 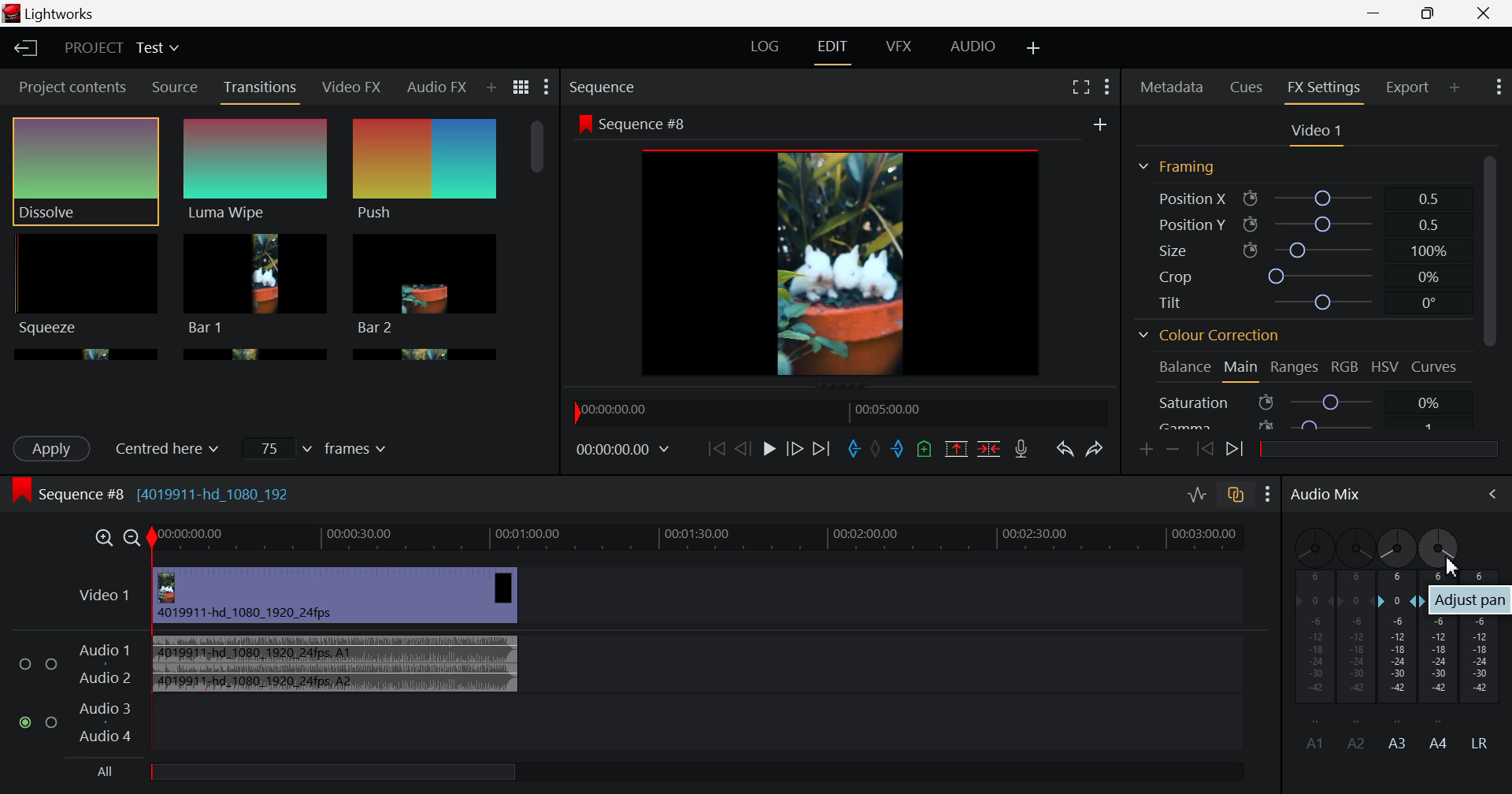 What do you see at coordinates (54, 448) in the screenshot?
I see `Apply` at bounding box center [54, 448].